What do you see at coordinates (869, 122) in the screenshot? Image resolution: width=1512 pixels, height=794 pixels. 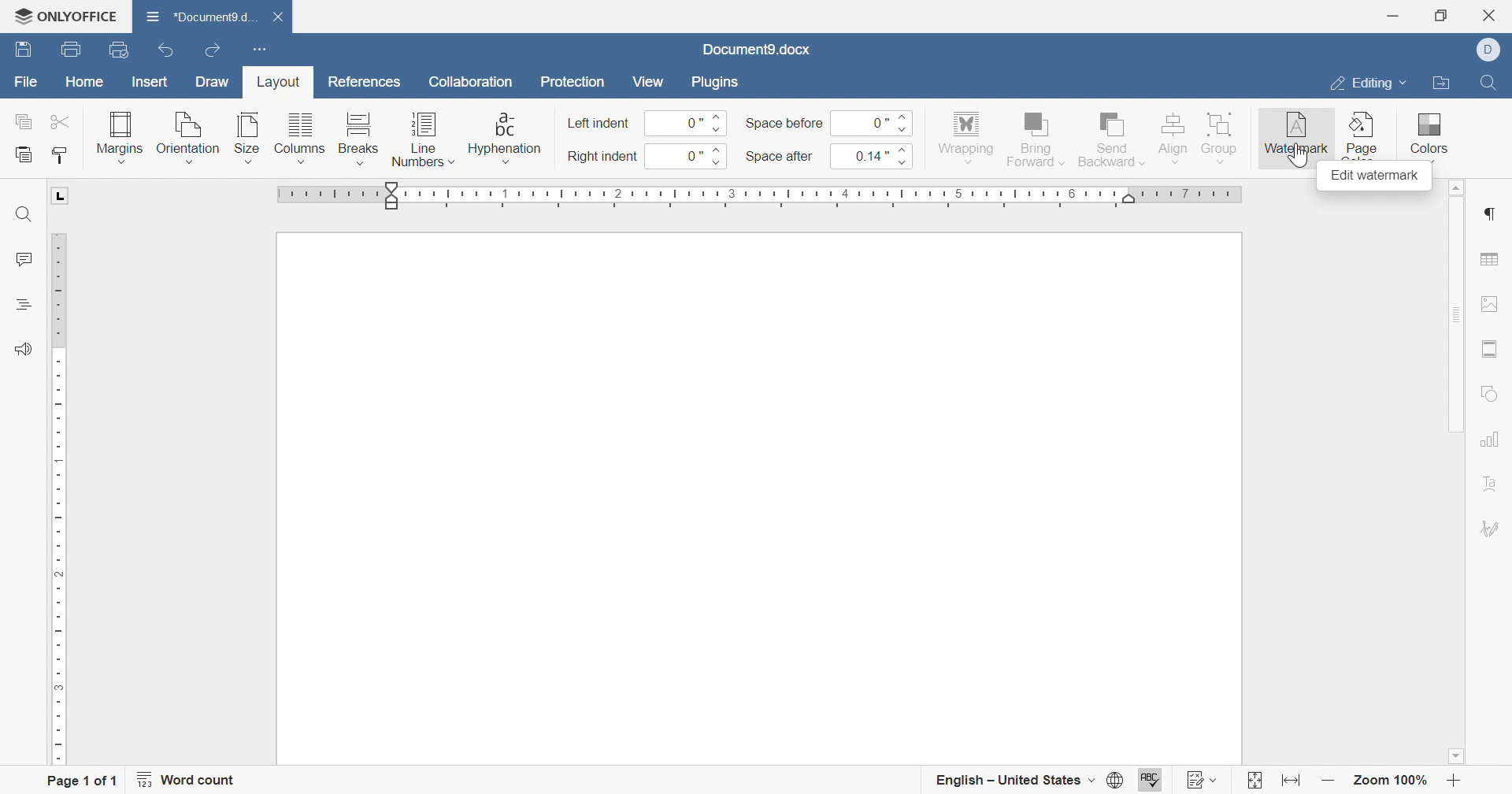 I see `0` at bounding box center [869, 122].